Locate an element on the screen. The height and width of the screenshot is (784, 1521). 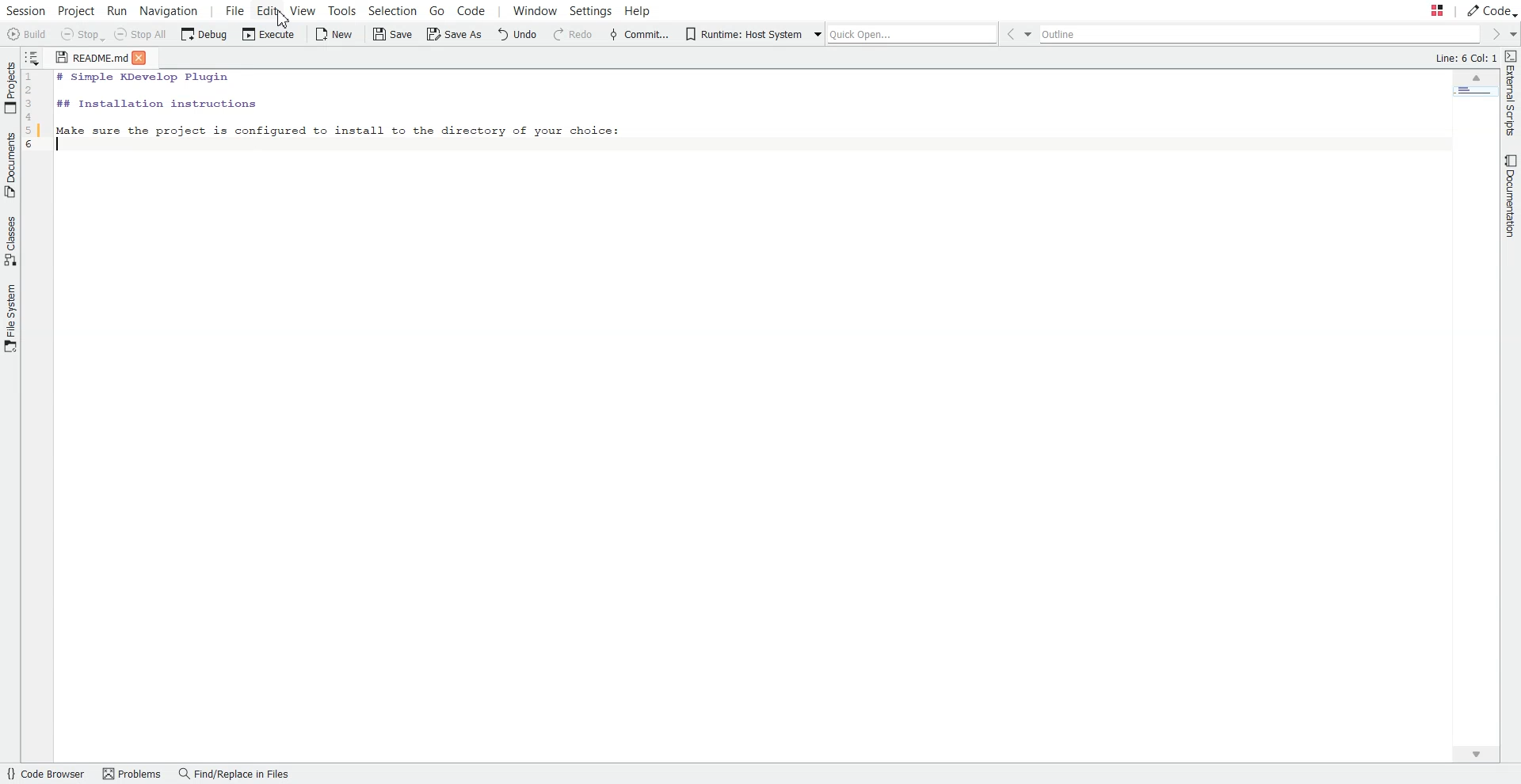
Runtime: Host System is located at coordinates (742, 34).